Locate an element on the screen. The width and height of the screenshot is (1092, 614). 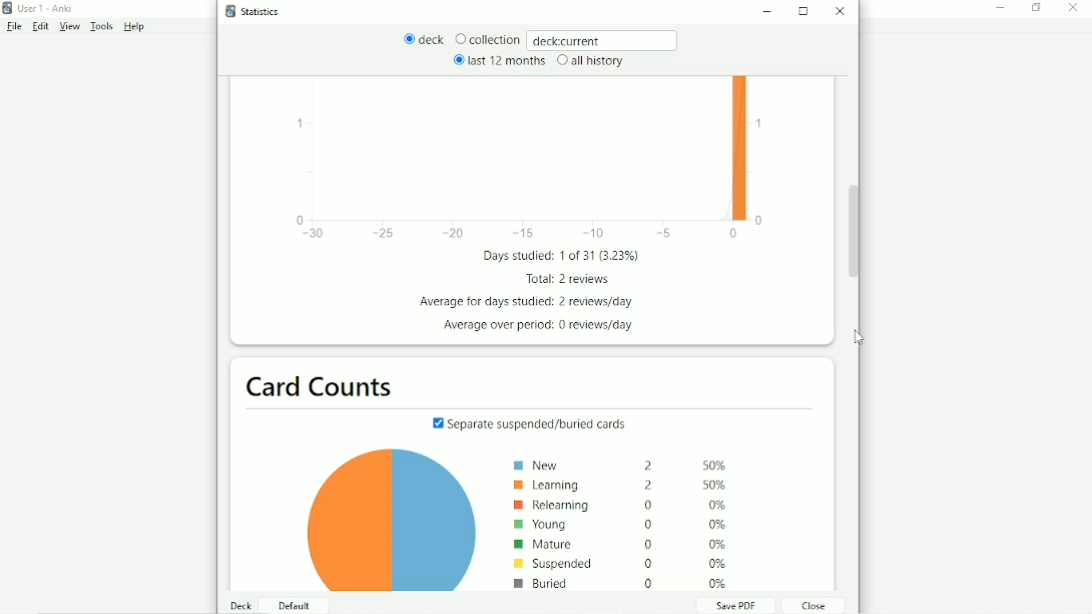
Default is located at coordinates (292, 605).